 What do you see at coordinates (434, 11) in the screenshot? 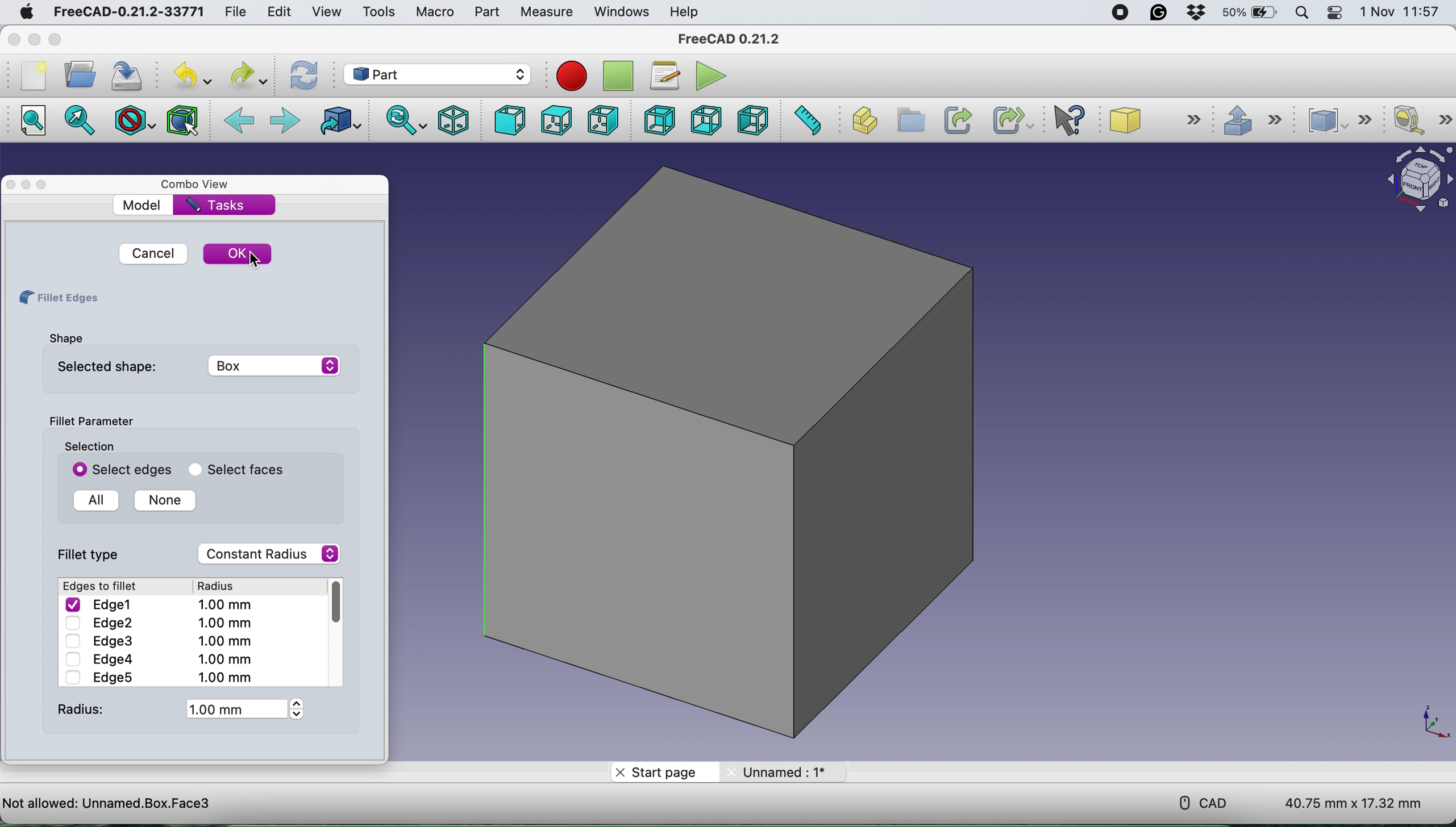
I see `macro` at bounding box center [434, 11].